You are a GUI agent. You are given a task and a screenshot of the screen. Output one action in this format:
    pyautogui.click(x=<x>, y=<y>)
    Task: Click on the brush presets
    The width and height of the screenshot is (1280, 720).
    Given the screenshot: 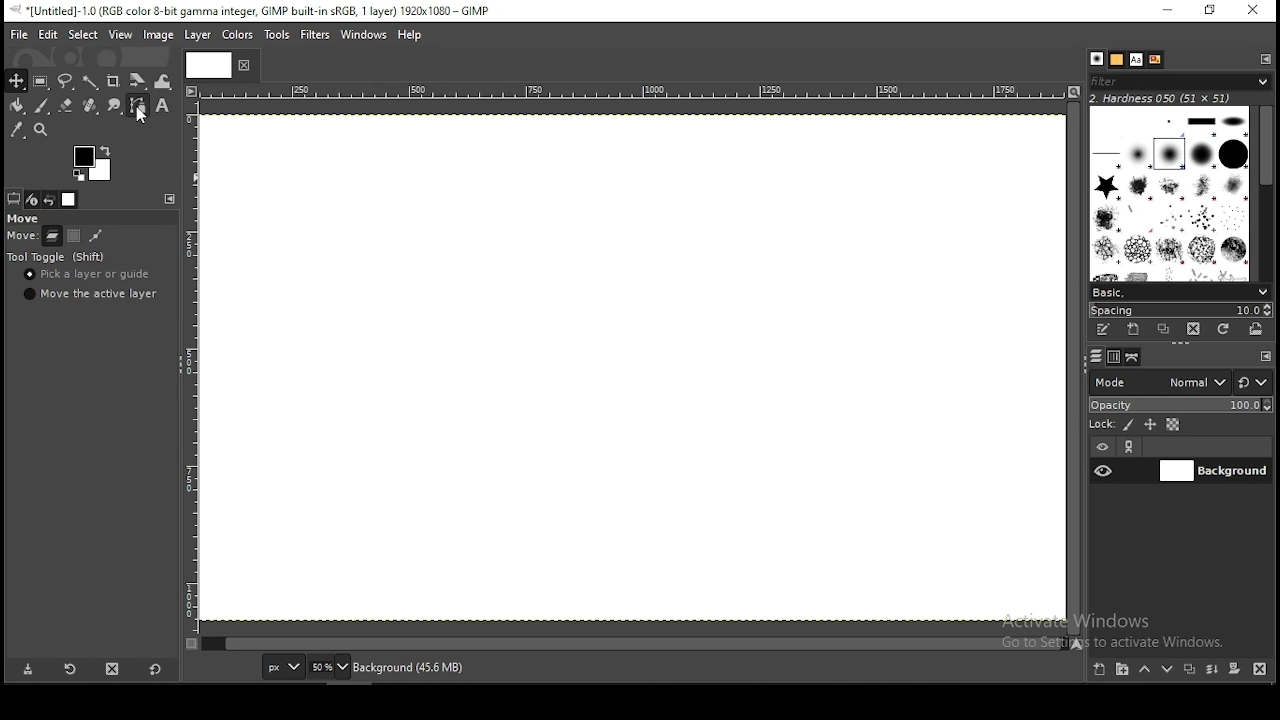 What is the action you would take?
    pyautogui.click(x=1180, y=291)
    